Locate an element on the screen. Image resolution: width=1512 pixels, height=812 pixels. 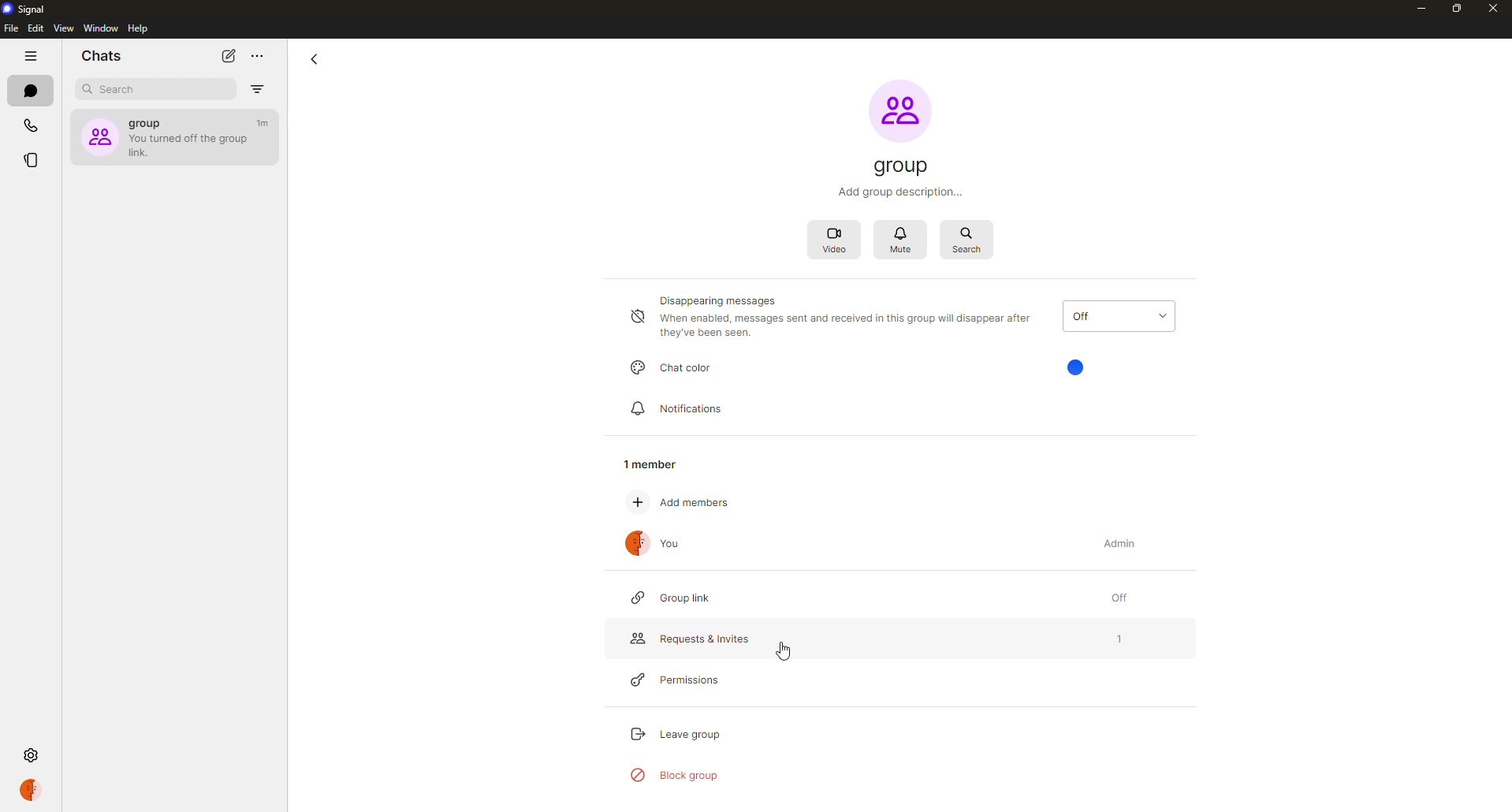
search is located at coordinates (967, 239).